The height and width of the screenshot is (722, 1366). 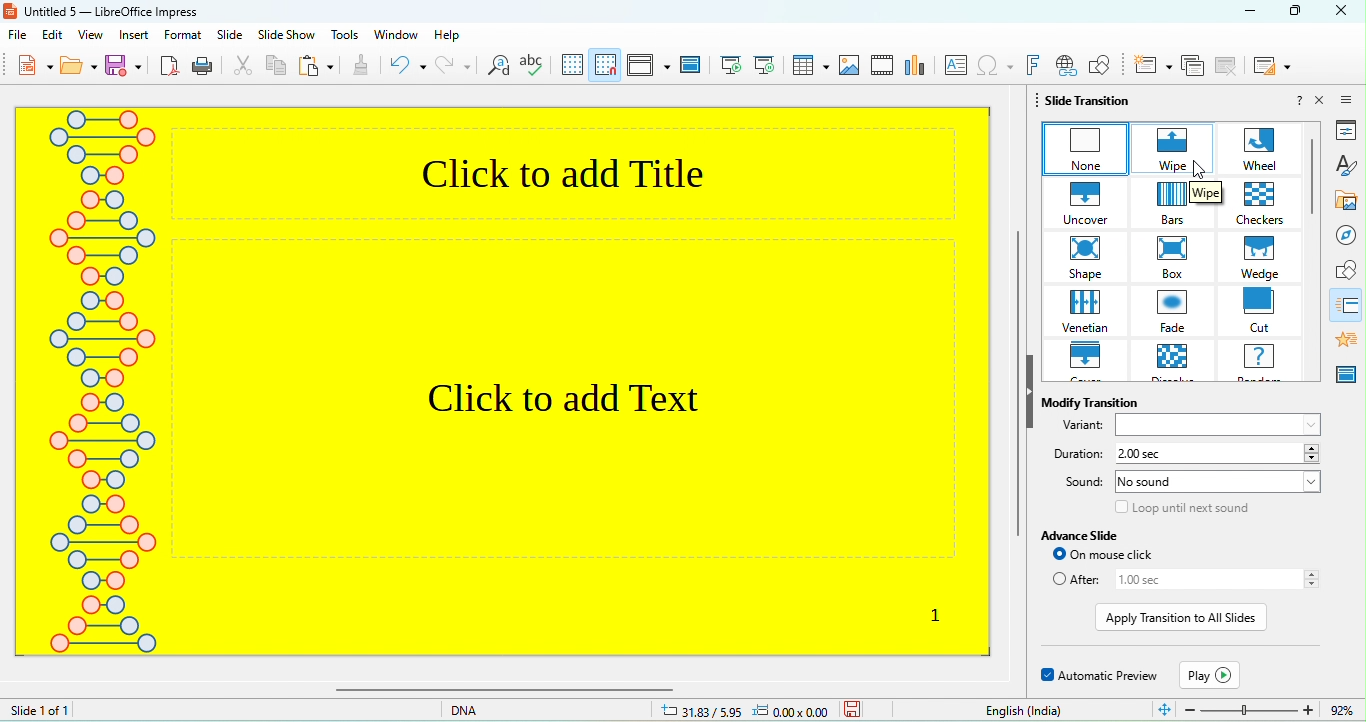 What do you see at coordinates (1347, 304) in the screenshot?
I see `slide transitionn` at bounding box center [1347, 304].